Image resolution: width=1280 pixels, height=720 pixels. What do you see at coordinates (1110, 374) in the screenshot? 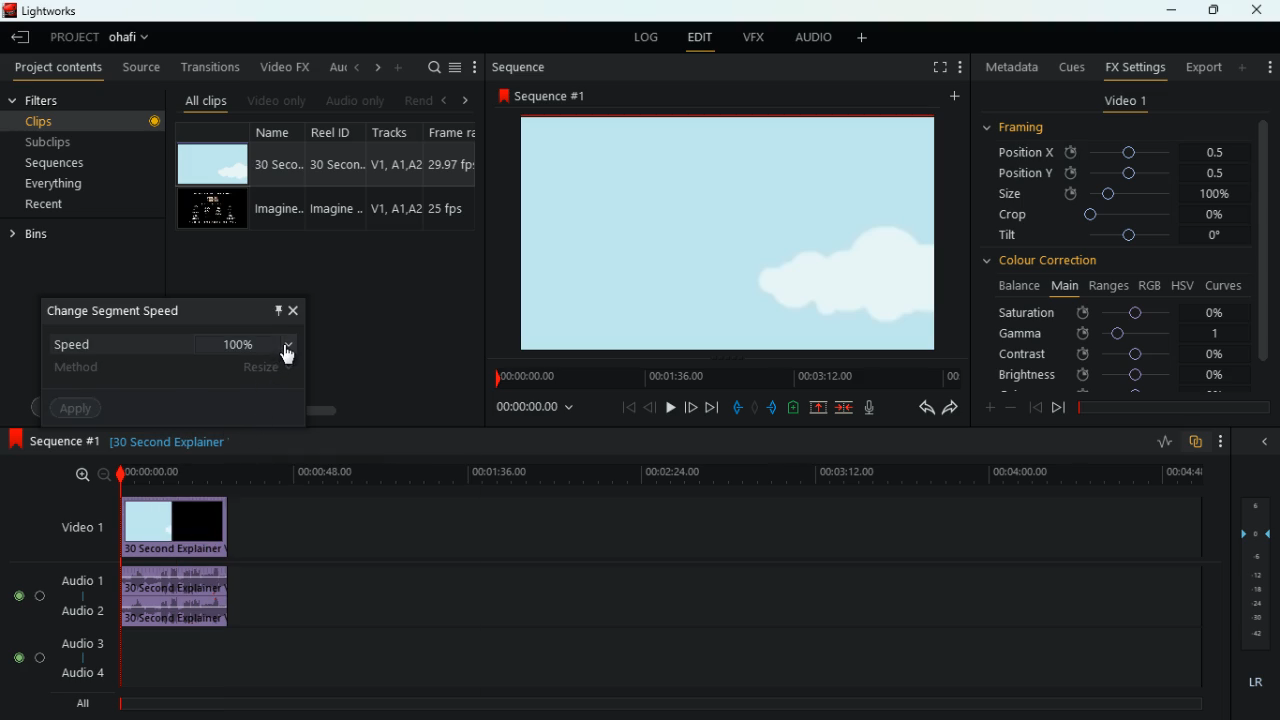
I see `brightness` at bounding box center [1110, 374].